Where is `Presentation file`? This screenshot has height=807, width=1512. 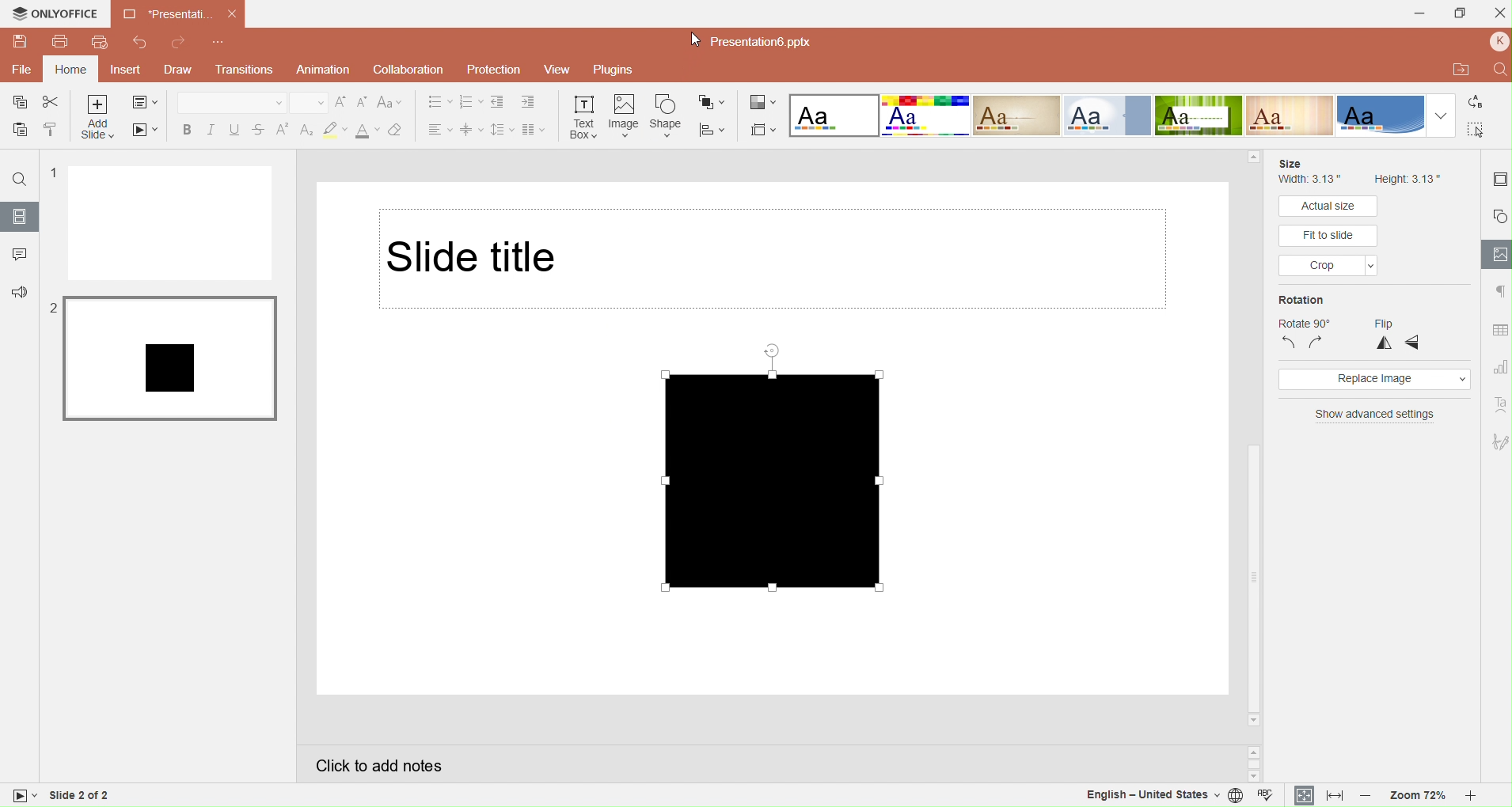
Presentation file is located at coordinates (766, 44).